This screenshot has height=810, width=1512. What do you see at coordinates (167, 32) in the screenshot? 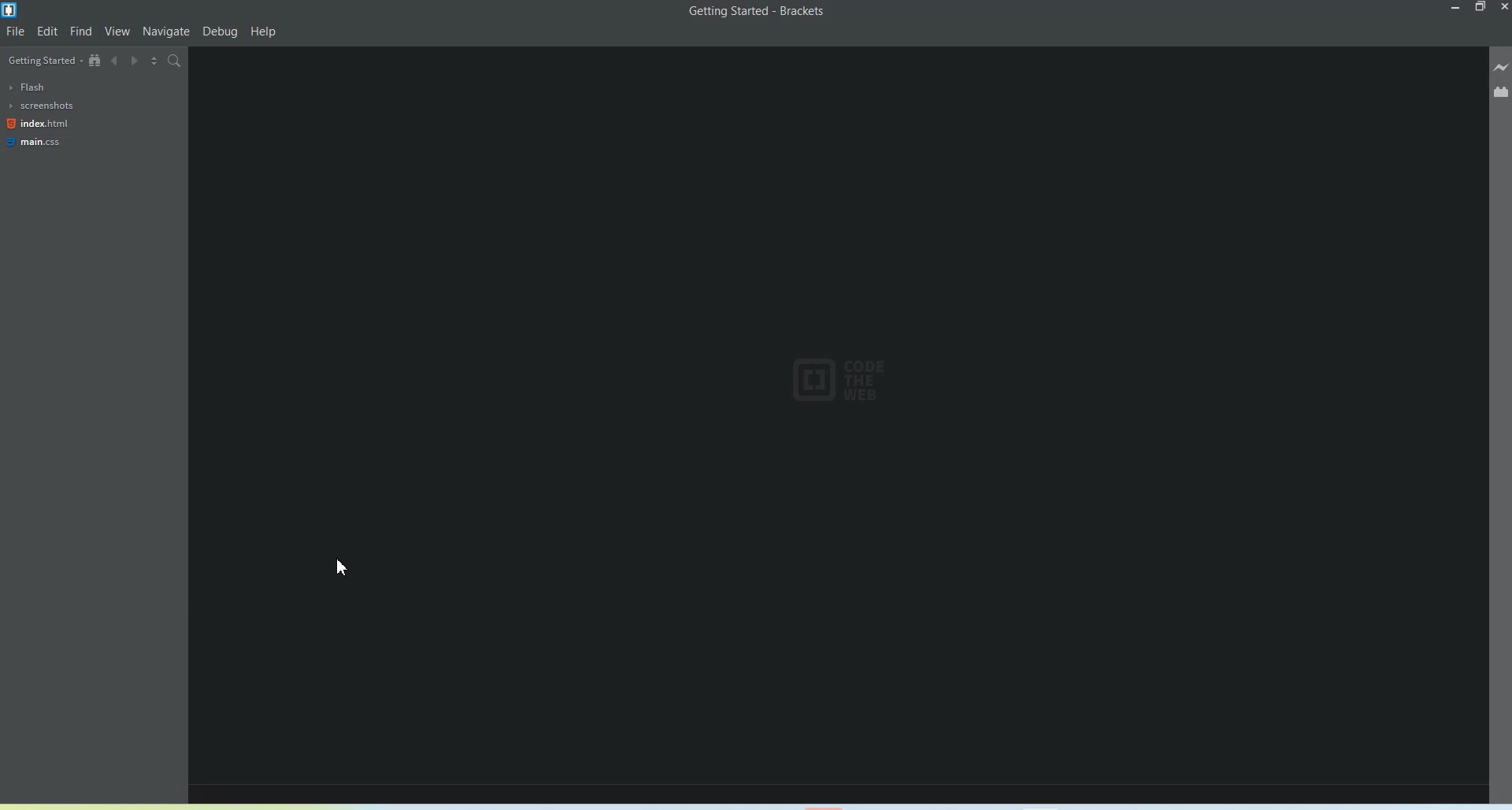
I see `Navigate` at bounding box center [167, 32].